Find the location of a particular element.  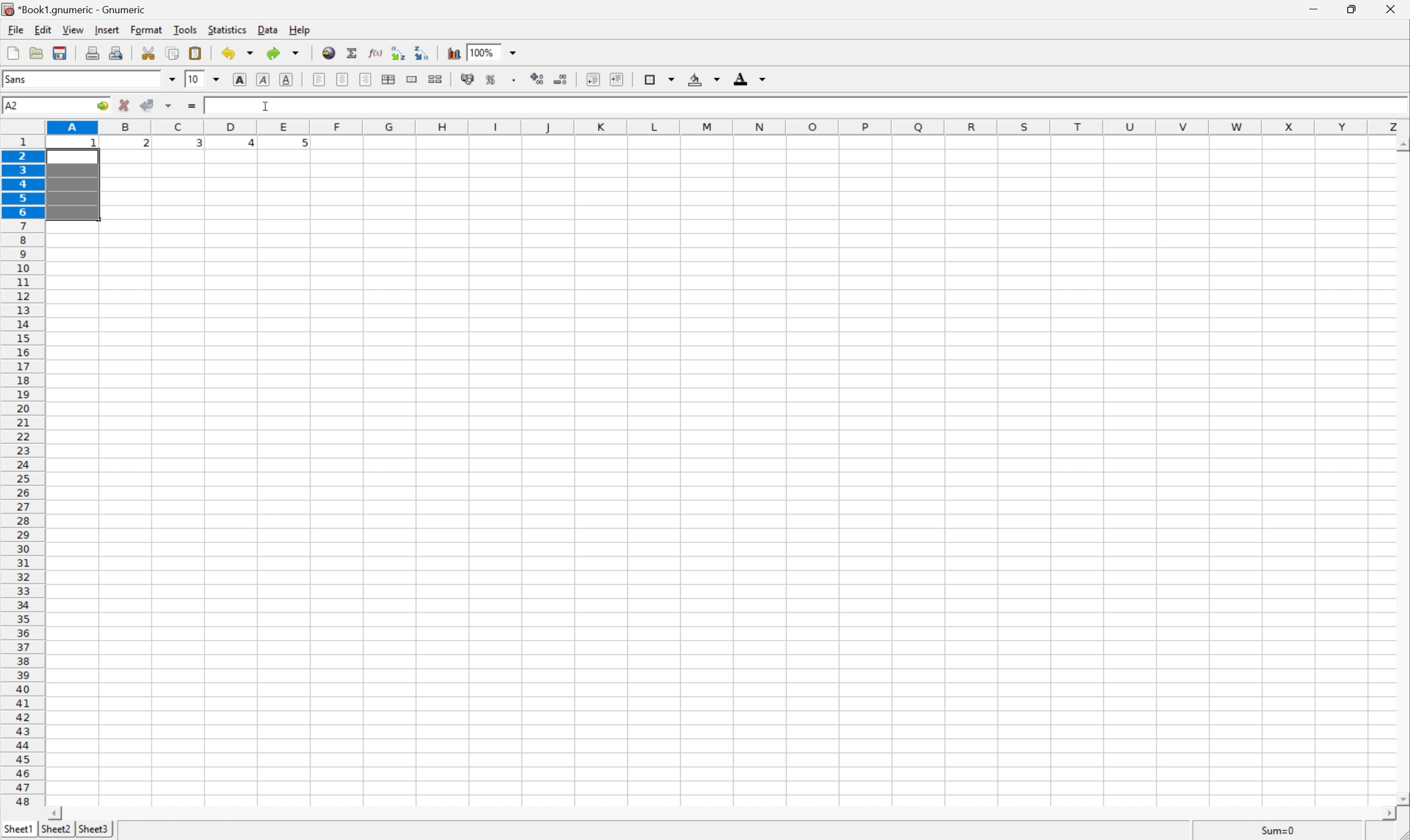

5 is located at coordinates (302, 145).